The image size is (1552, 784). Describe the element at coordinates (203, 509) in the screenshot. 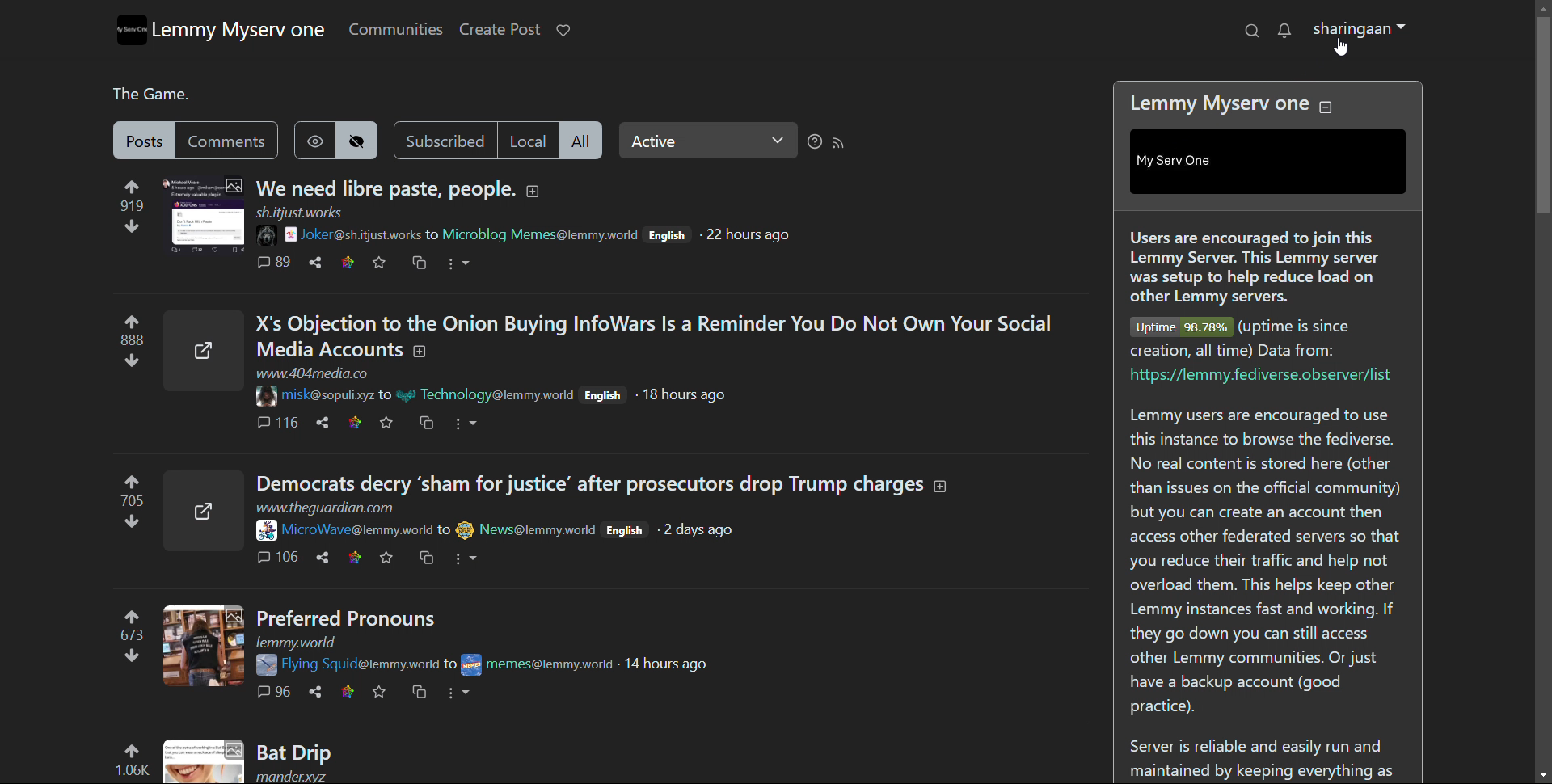

I see `thumbnail` at that location.